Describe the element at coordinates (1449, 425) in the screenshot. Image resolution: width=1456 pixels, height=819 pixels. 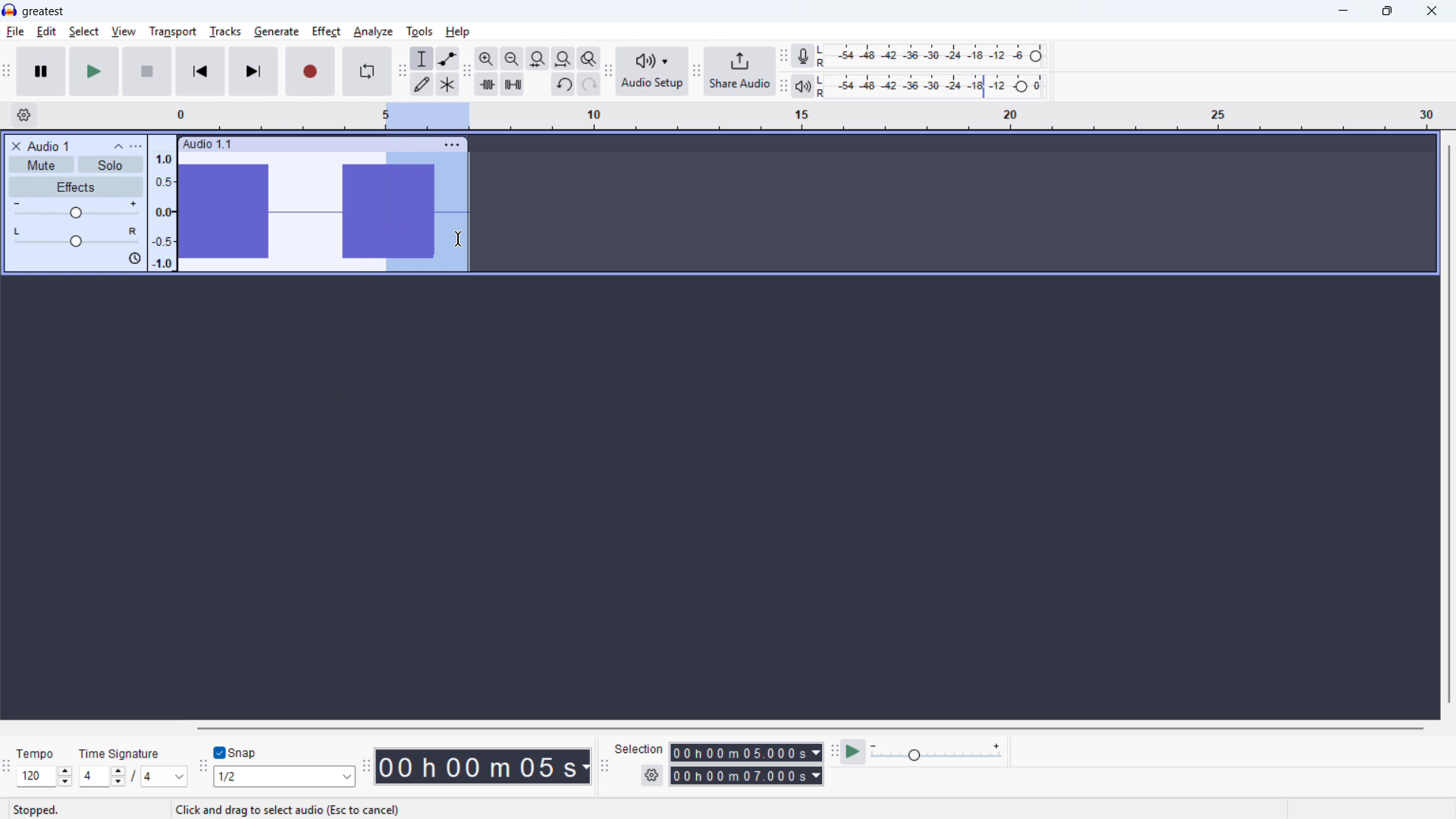
I see `Vertical scroll bar ` at that location.